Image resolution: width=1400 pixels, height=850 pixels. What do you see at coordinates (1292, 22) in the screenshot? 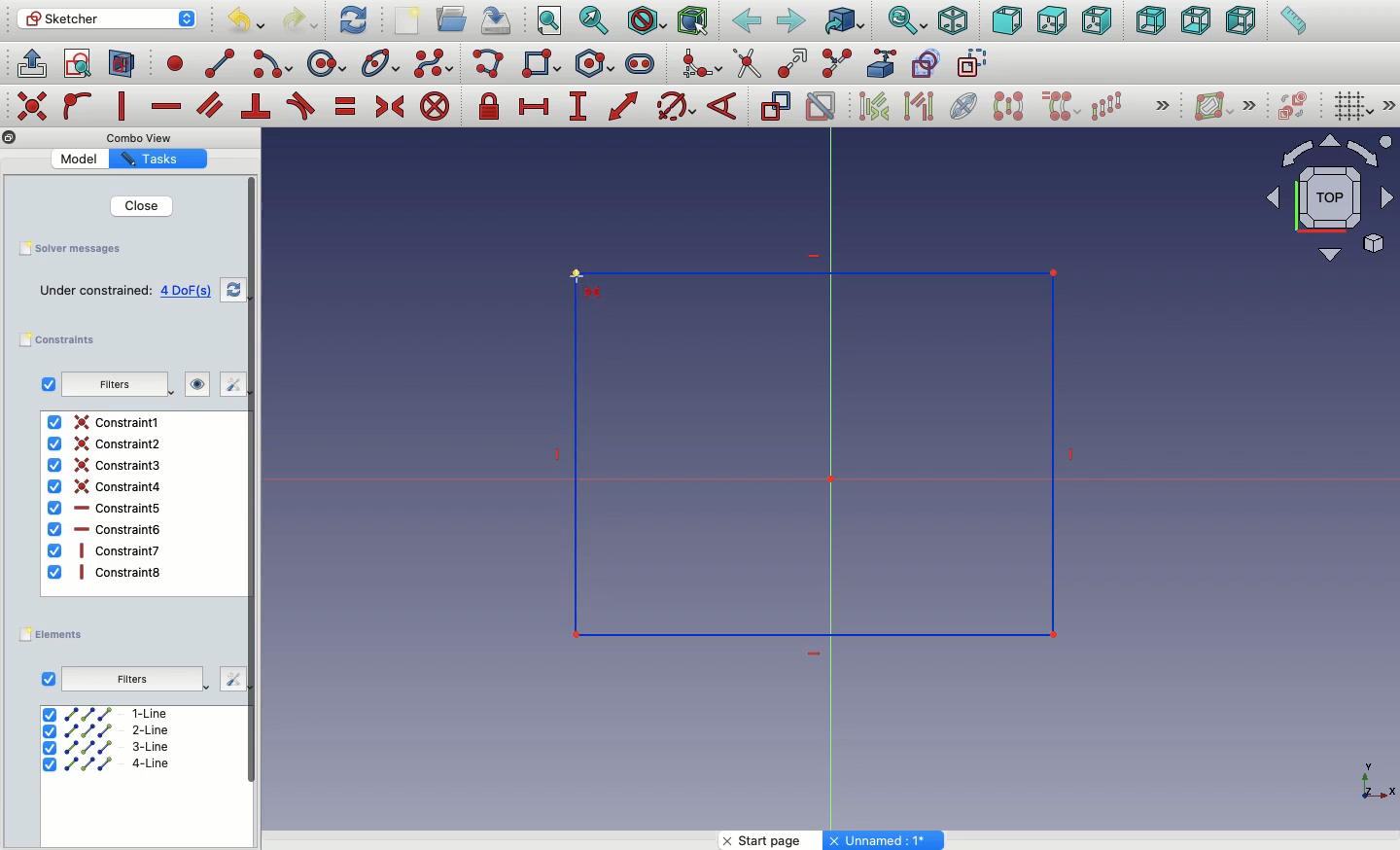
I see `Measure` at bounding box center [1292, 22].